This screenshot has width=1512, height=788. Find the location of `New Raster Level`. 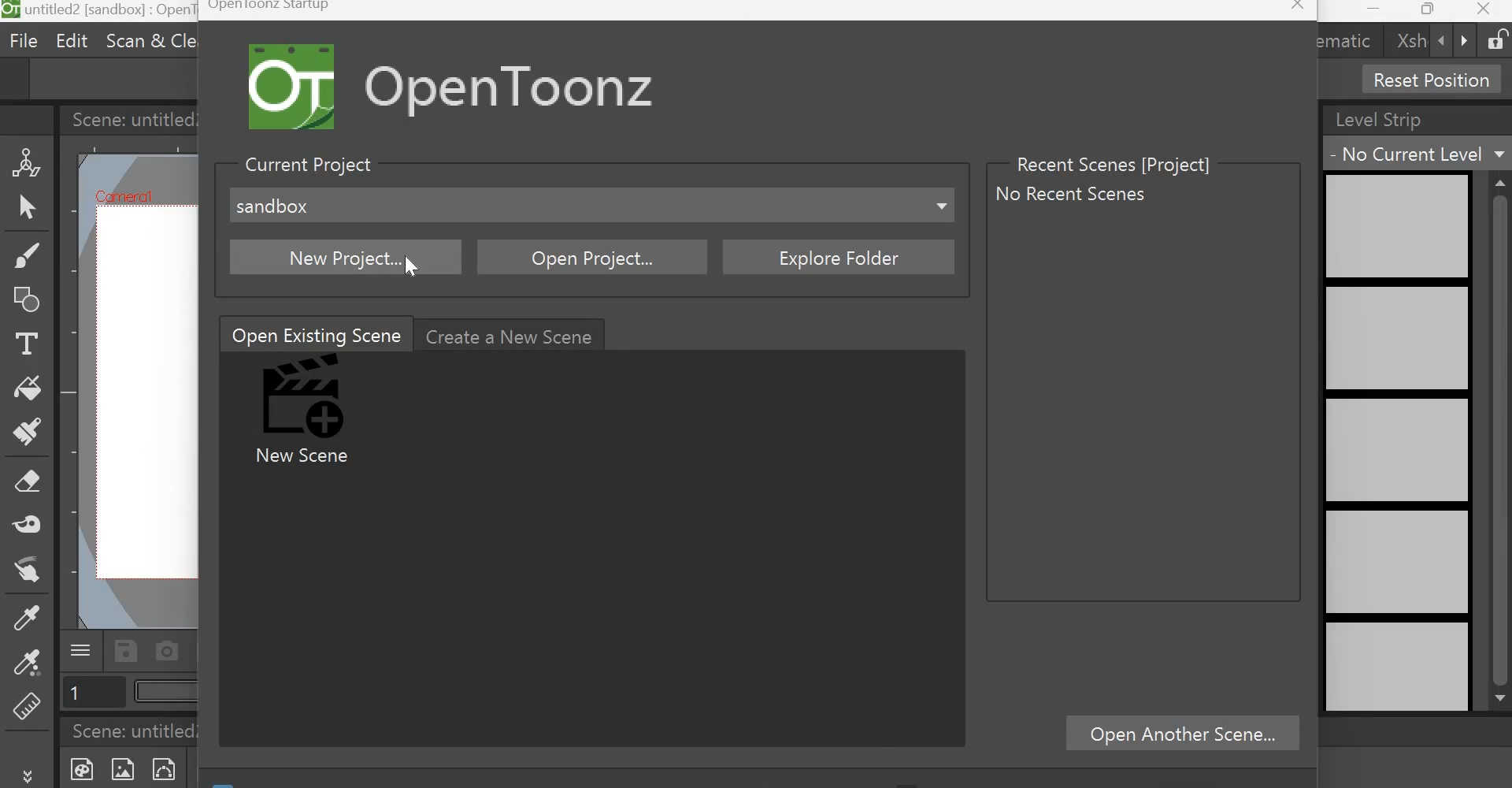

New Raster Level is located at coordinates (128, 769).